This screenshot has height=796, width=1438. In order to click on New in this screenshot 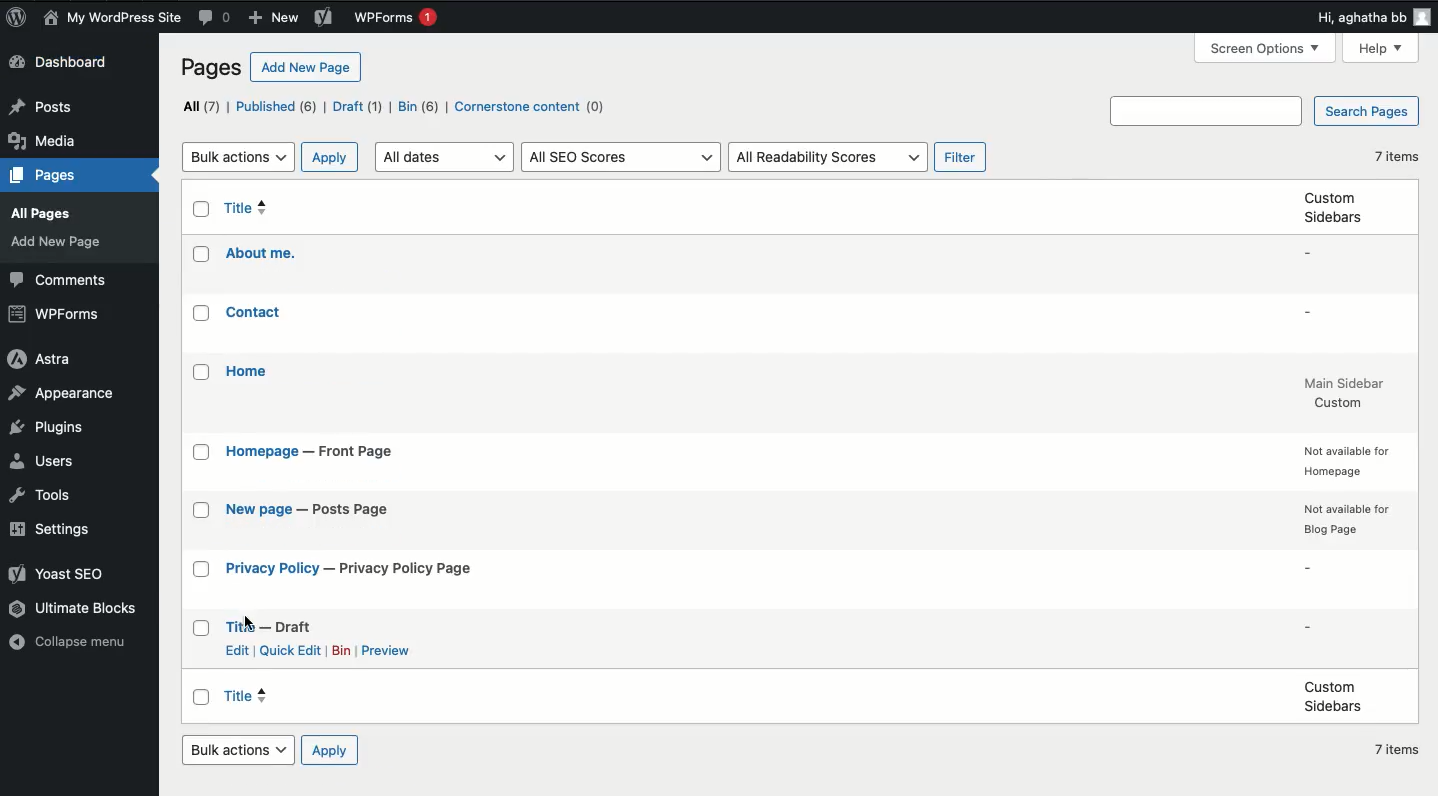, I will do `click(272, 17)`.